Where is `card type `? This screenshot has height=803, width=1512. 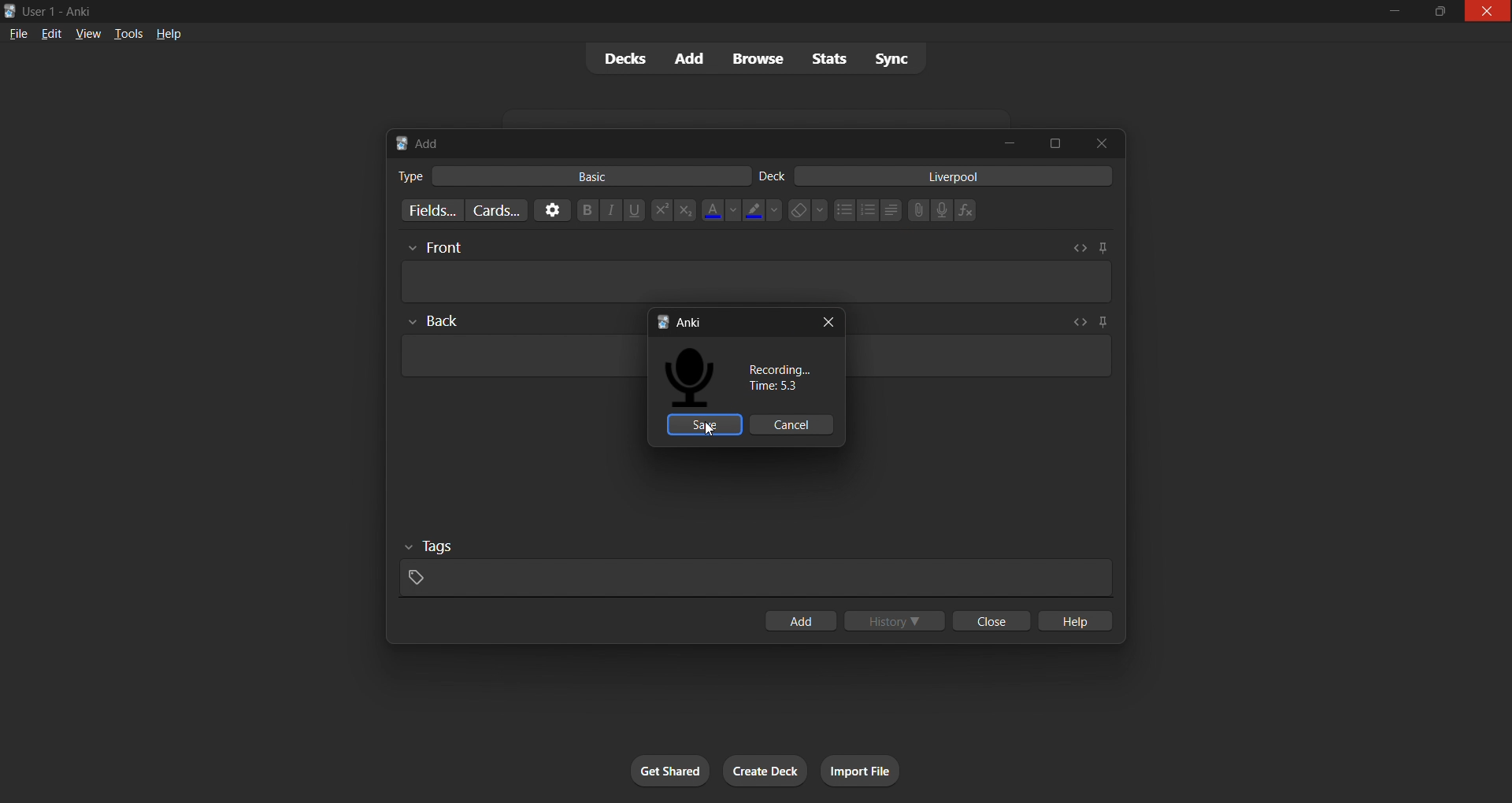
card type  is located at coordinates (406, 175).